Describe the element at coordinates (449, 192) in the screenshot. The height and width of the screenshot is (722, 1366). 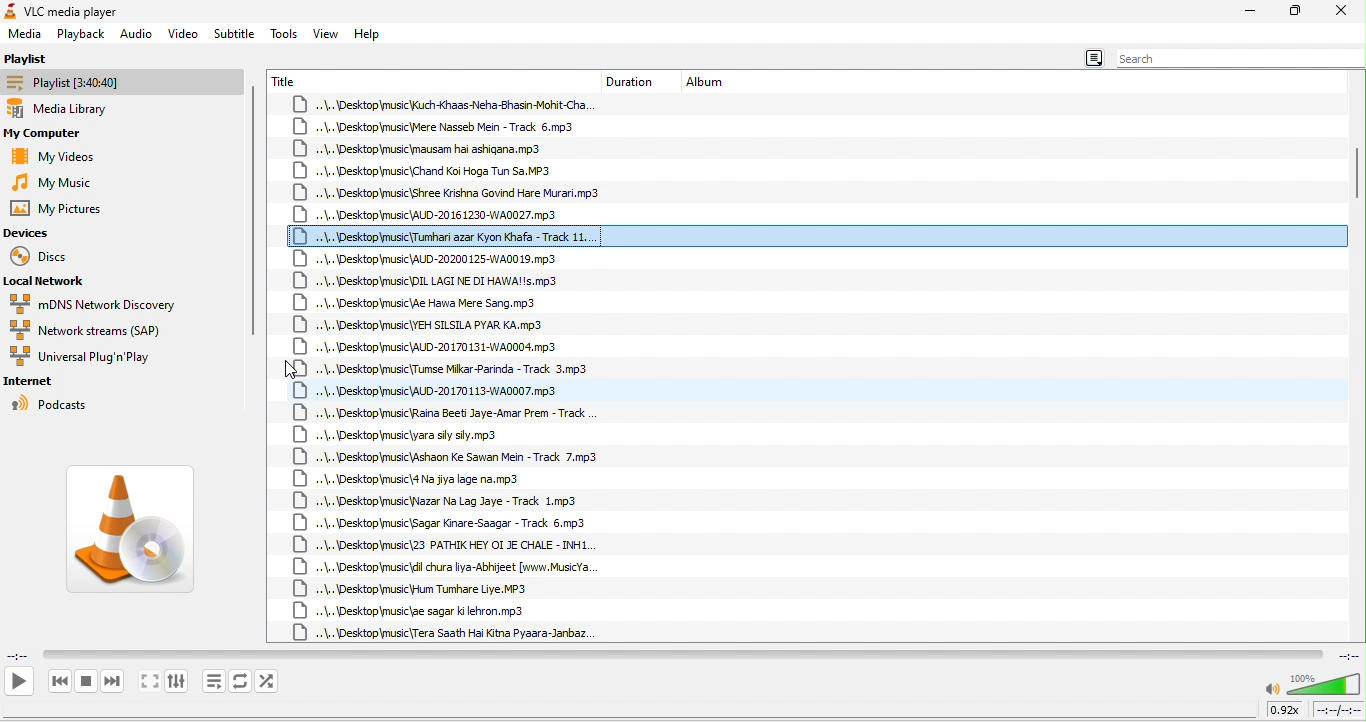
I see `+\..\Desktop\music\Shree Krishna Govind Hare Murari.mp3.` at that location.